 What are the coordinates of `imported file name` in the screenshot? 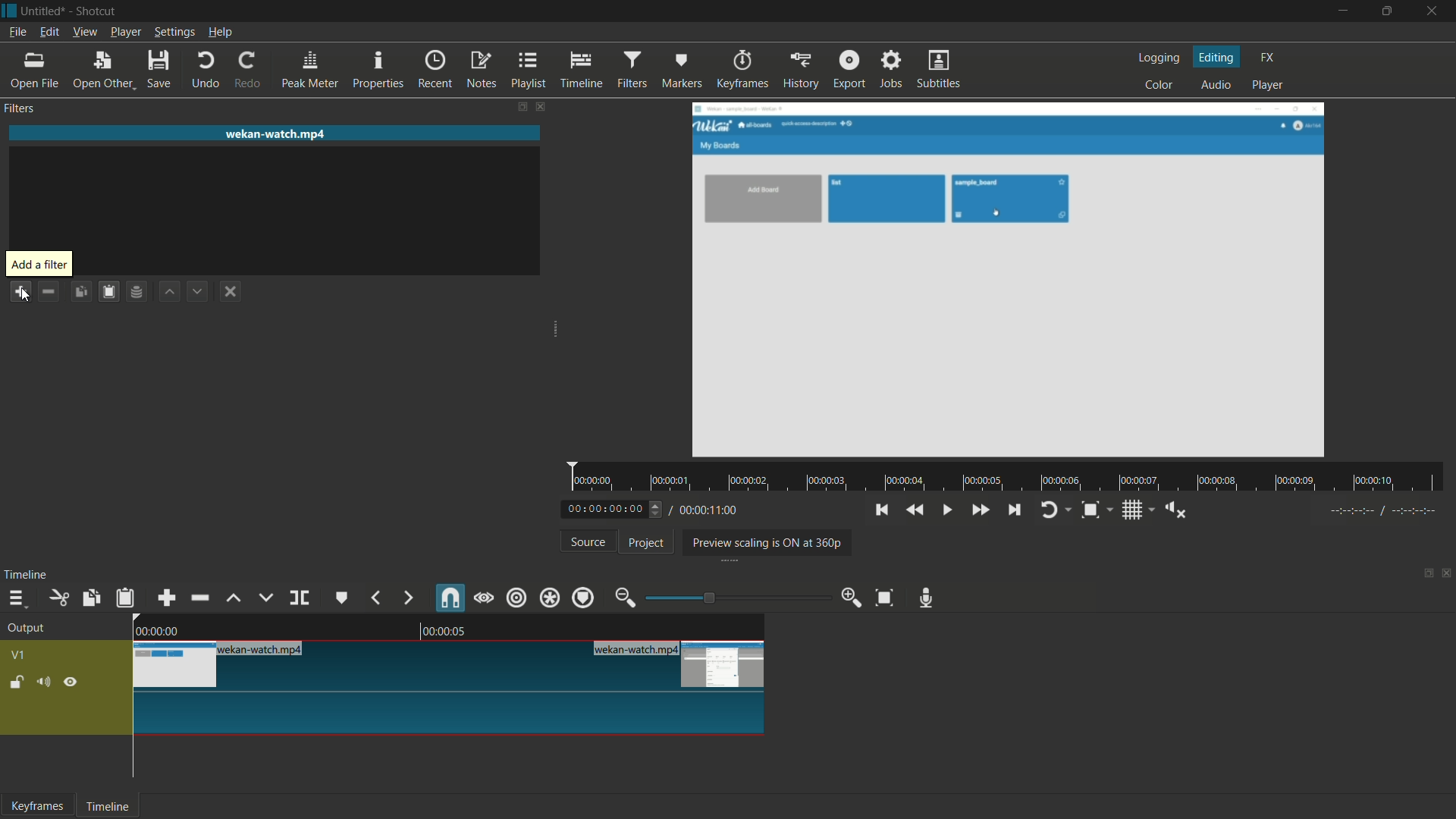 It's located at (275, 133).